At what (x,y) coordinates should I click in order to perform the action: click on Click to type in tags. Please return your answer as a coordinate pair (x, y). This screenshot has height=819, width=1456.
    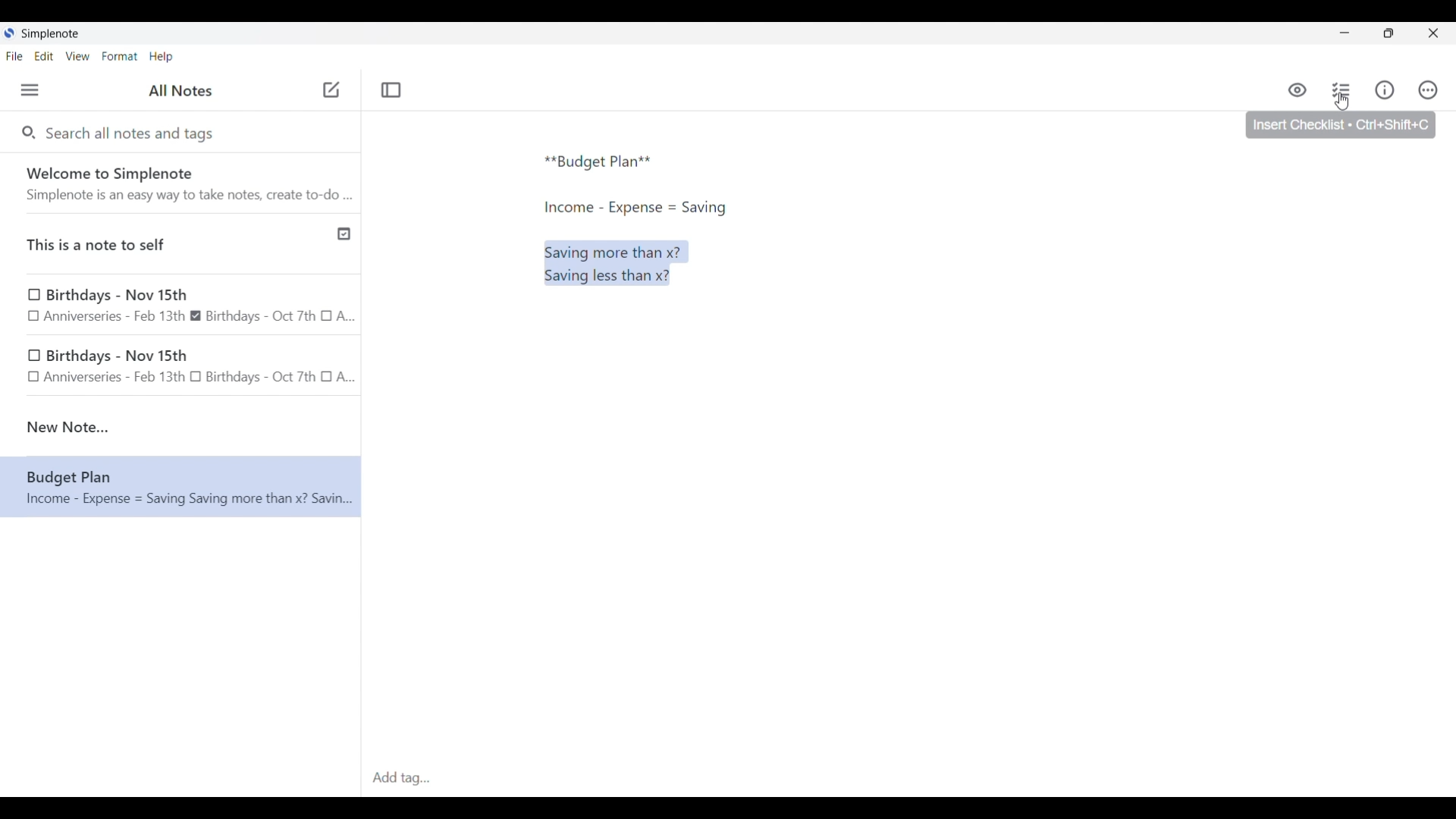
    Looking at the image, I should click on (908, 779).